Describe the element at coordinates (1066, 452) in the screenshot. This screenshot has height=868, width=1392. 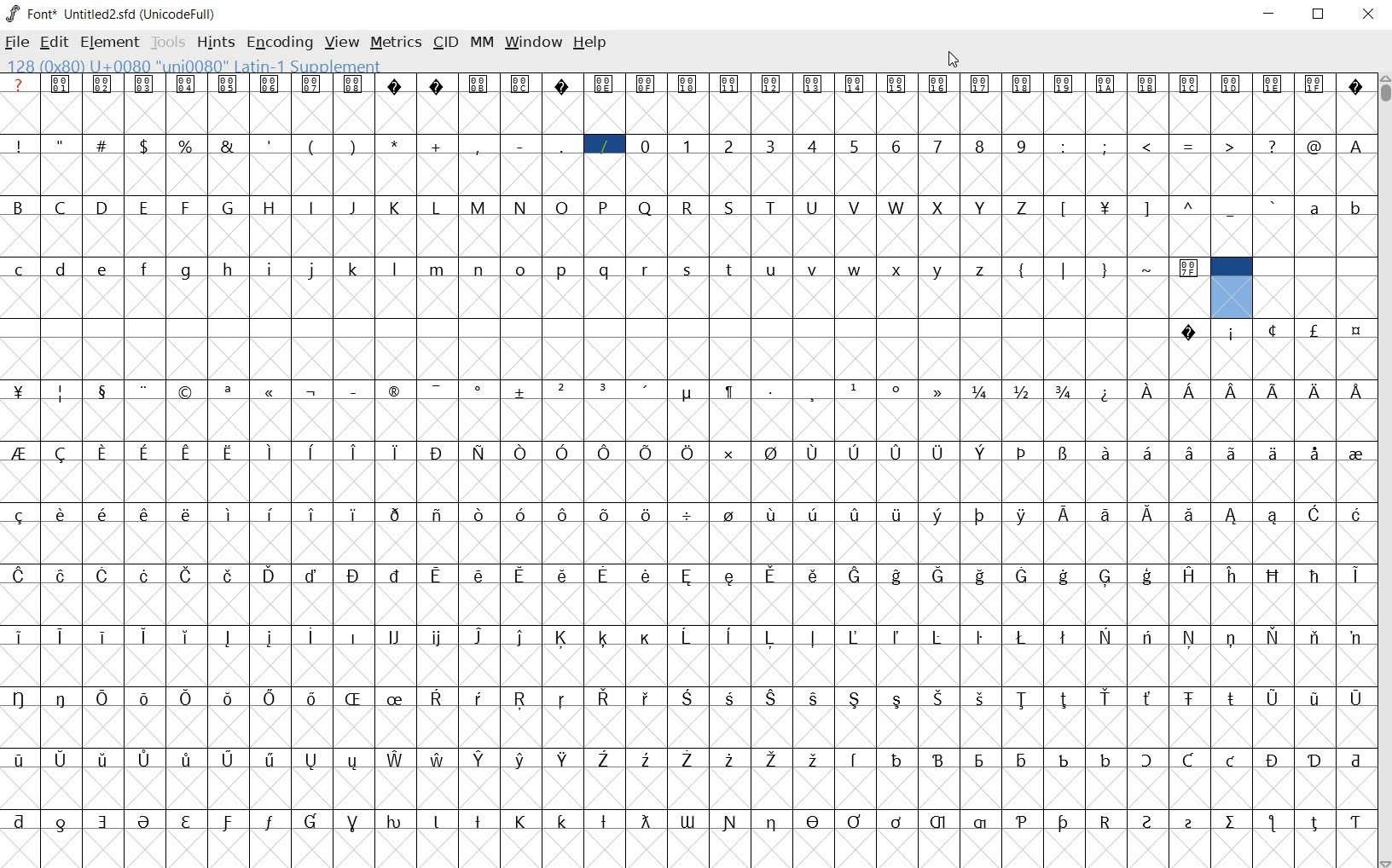
I see `Symbol` at that location.